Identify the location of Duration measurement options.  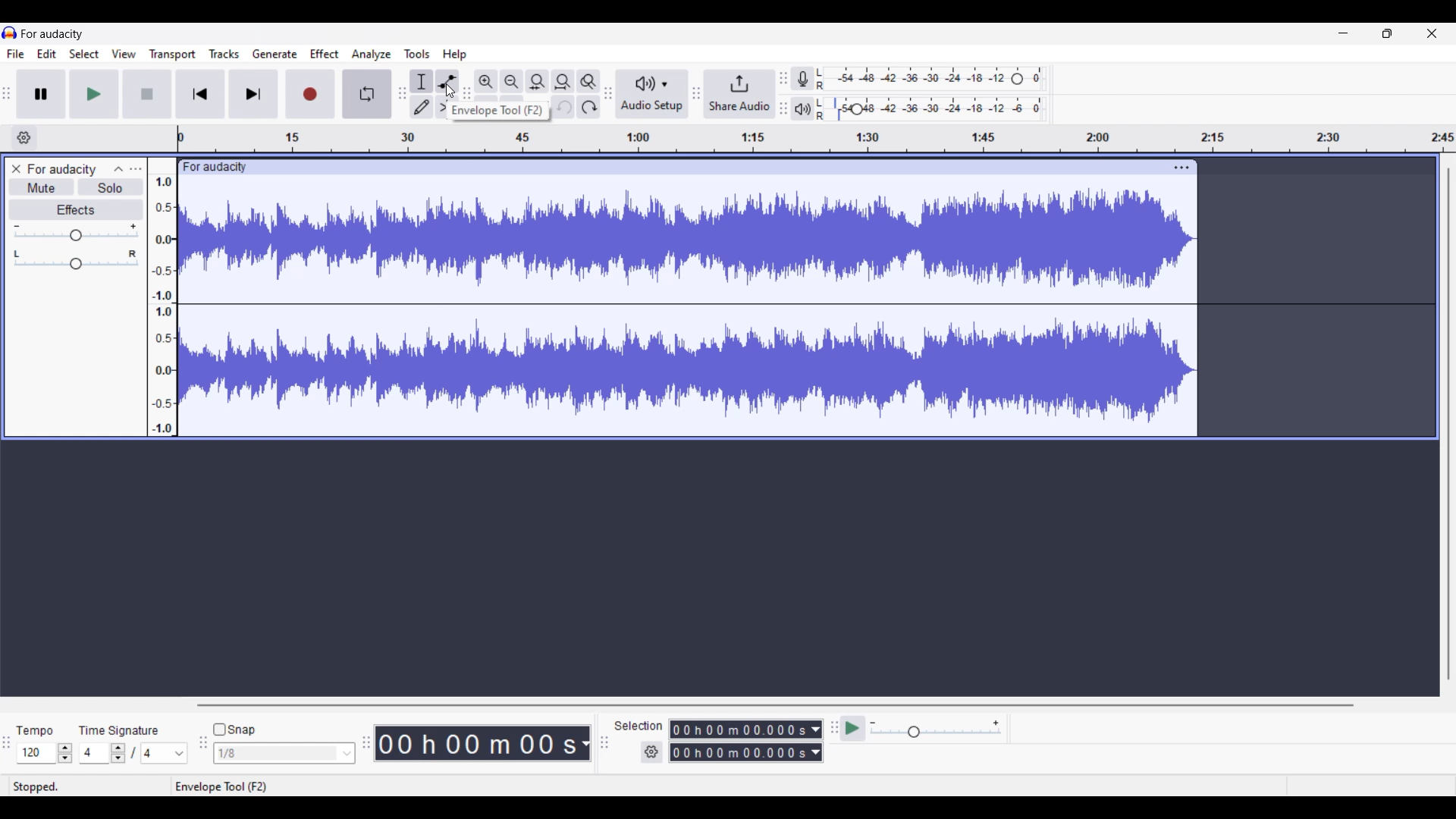
(585, 744).